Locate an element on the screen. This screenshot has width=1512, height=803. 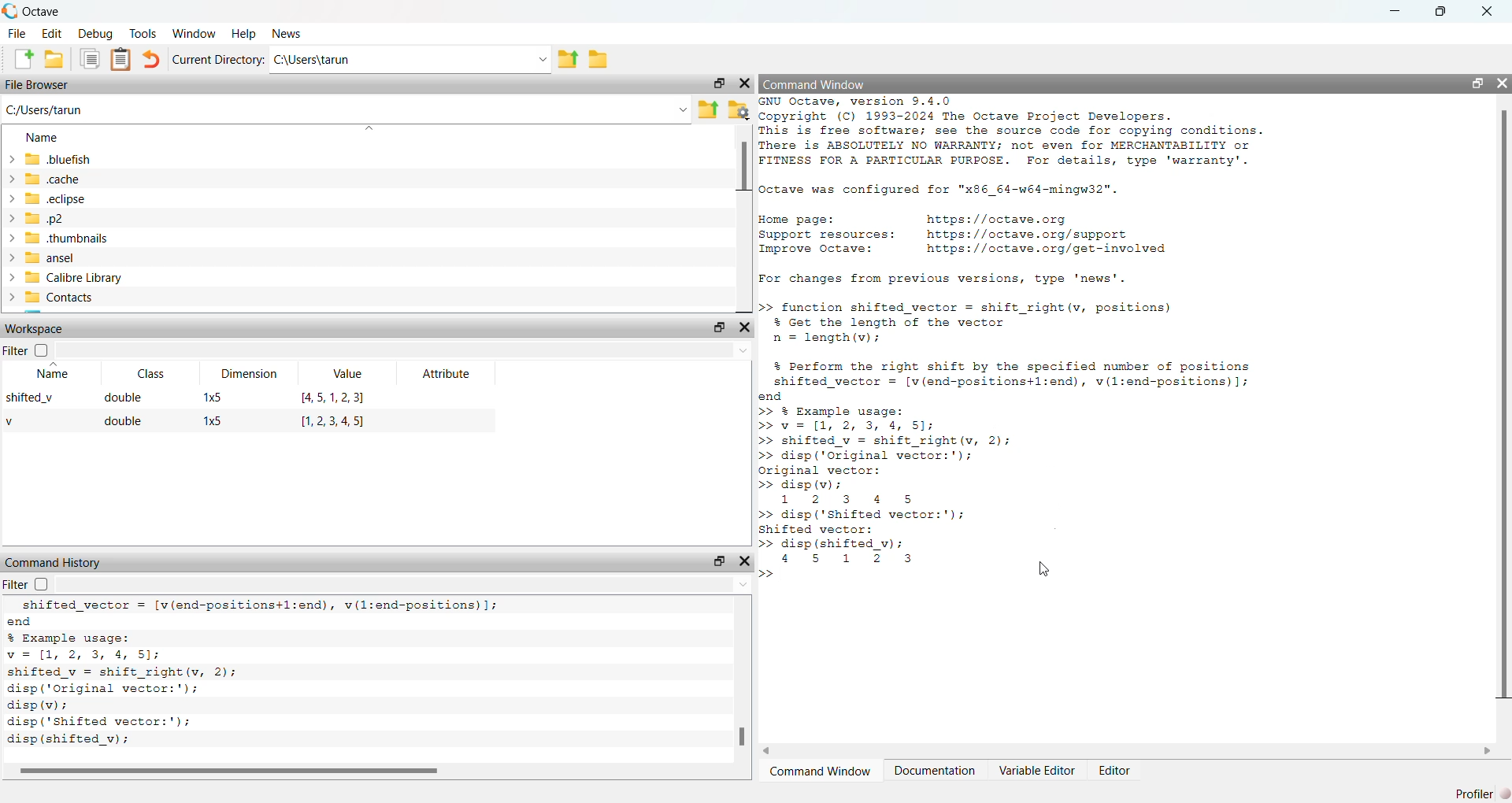
move right is located at coordinates (1486, 751).